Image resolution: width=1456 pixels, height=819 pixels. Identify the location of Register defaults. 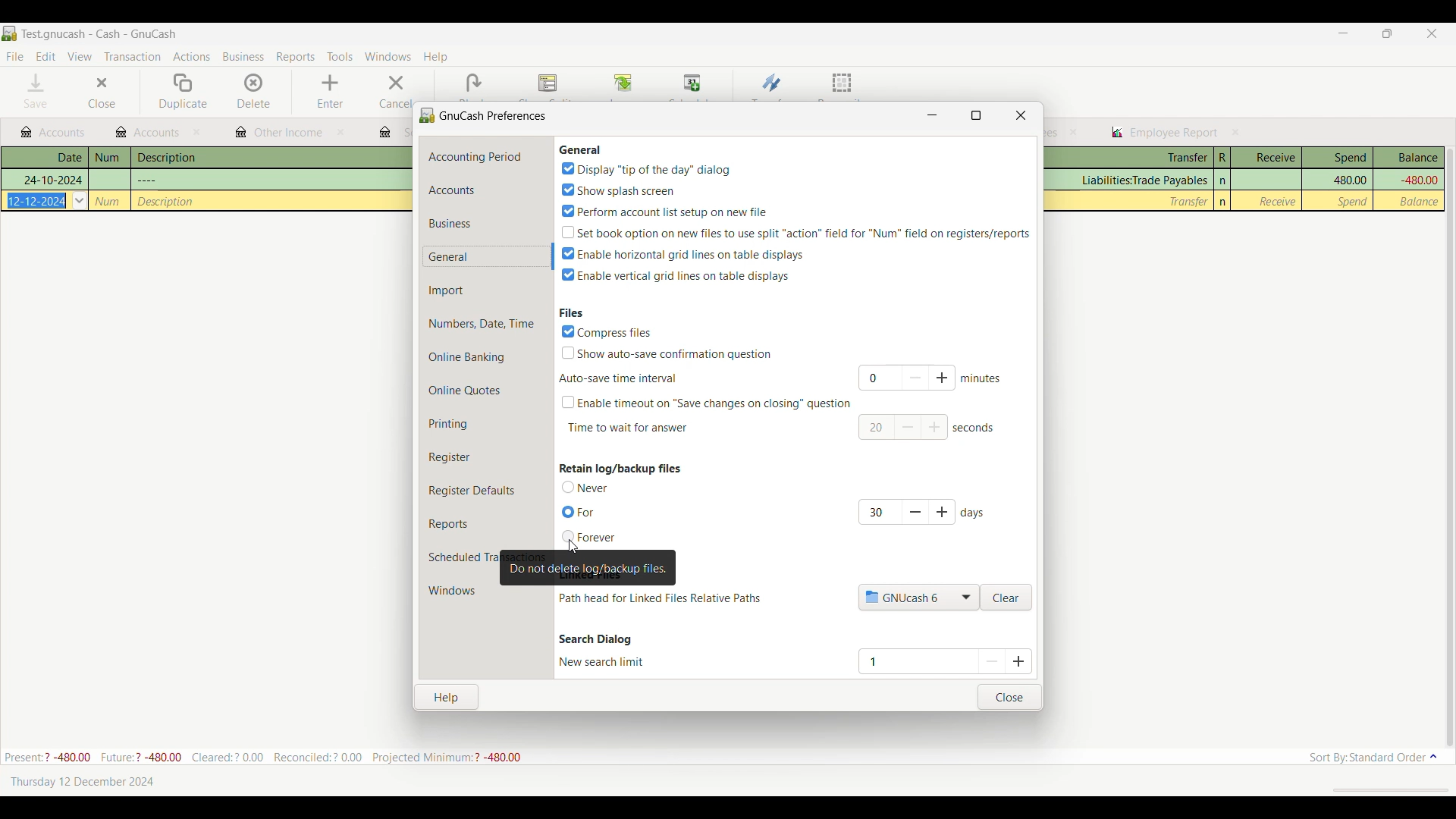
(488, 491).